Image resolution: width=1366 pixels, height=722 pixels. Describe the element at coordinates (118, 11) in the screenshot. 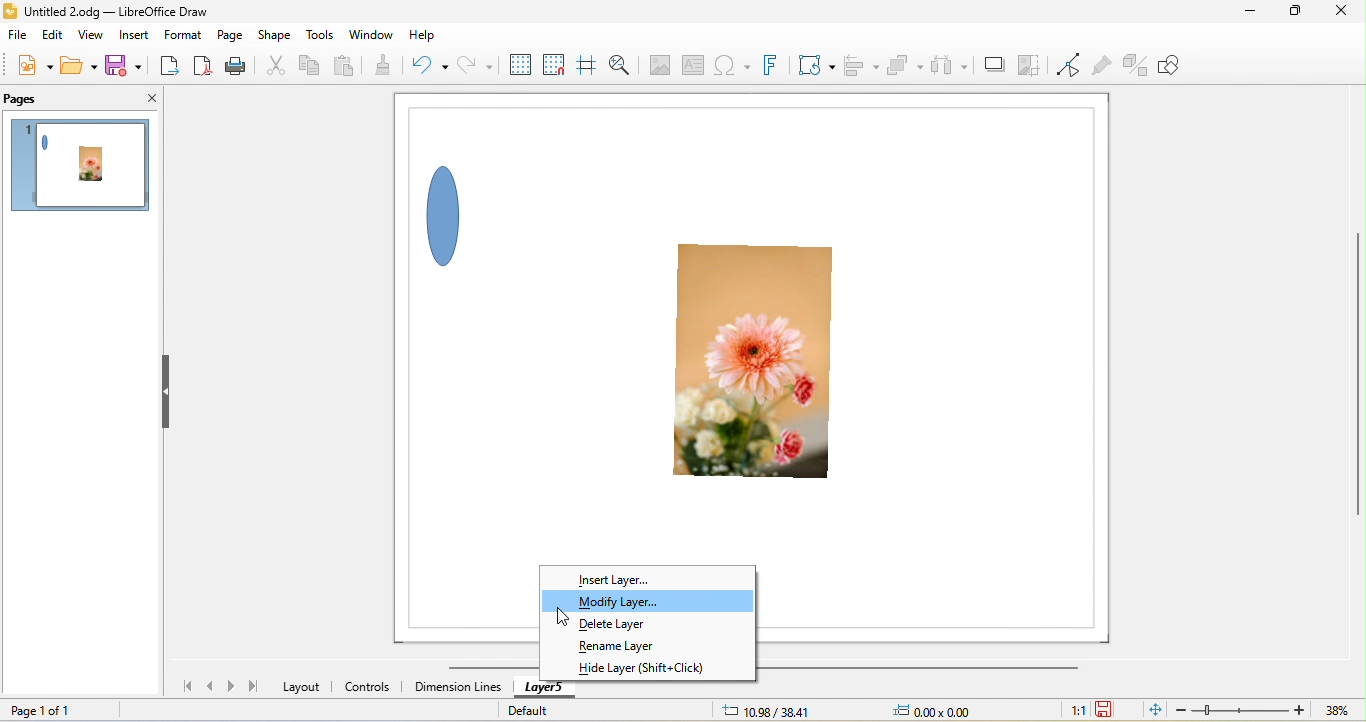

I see `title` at that location.